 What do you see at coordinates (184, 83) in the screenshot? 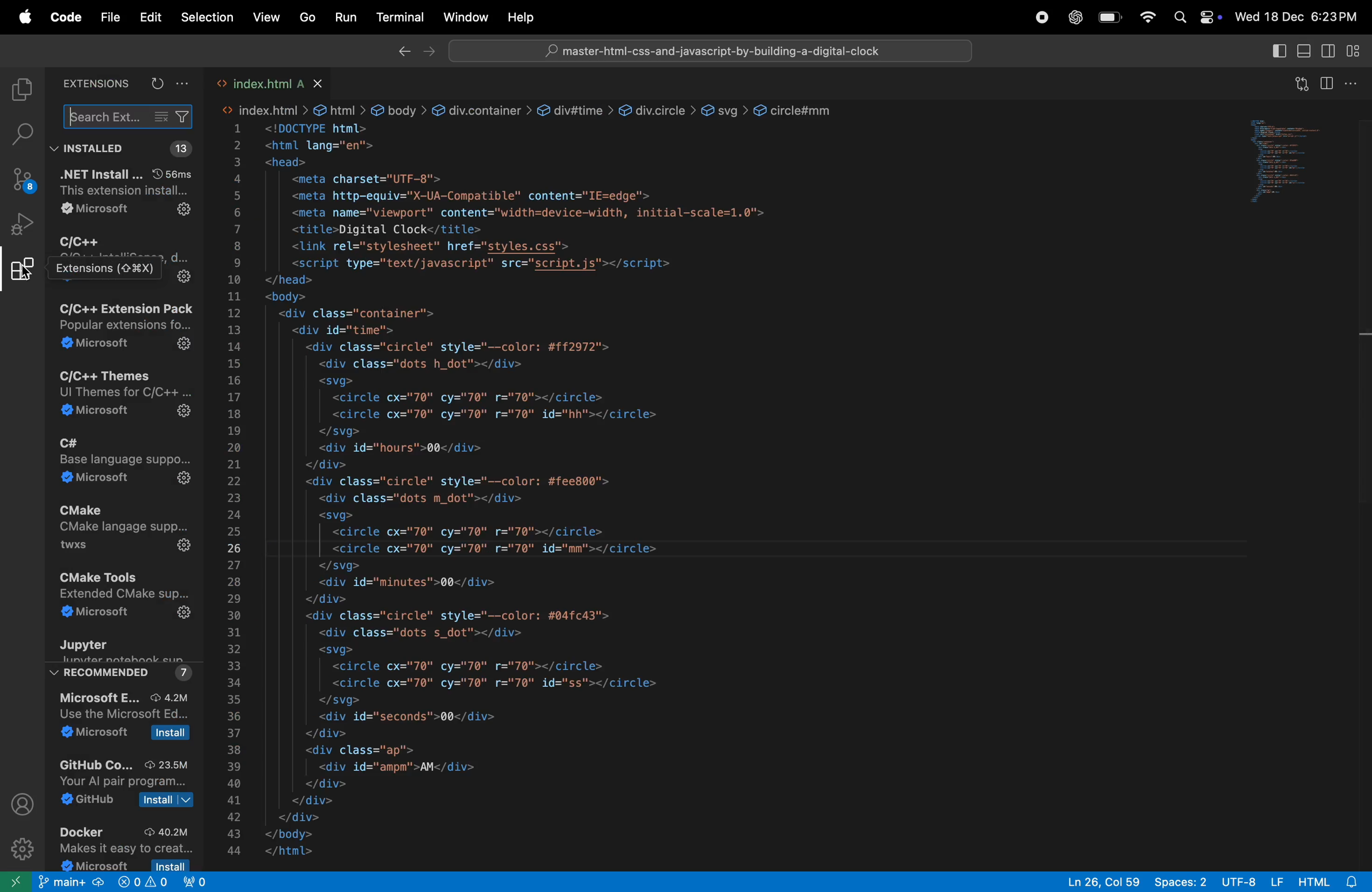
I see `options` at bounding box center [184, 83].